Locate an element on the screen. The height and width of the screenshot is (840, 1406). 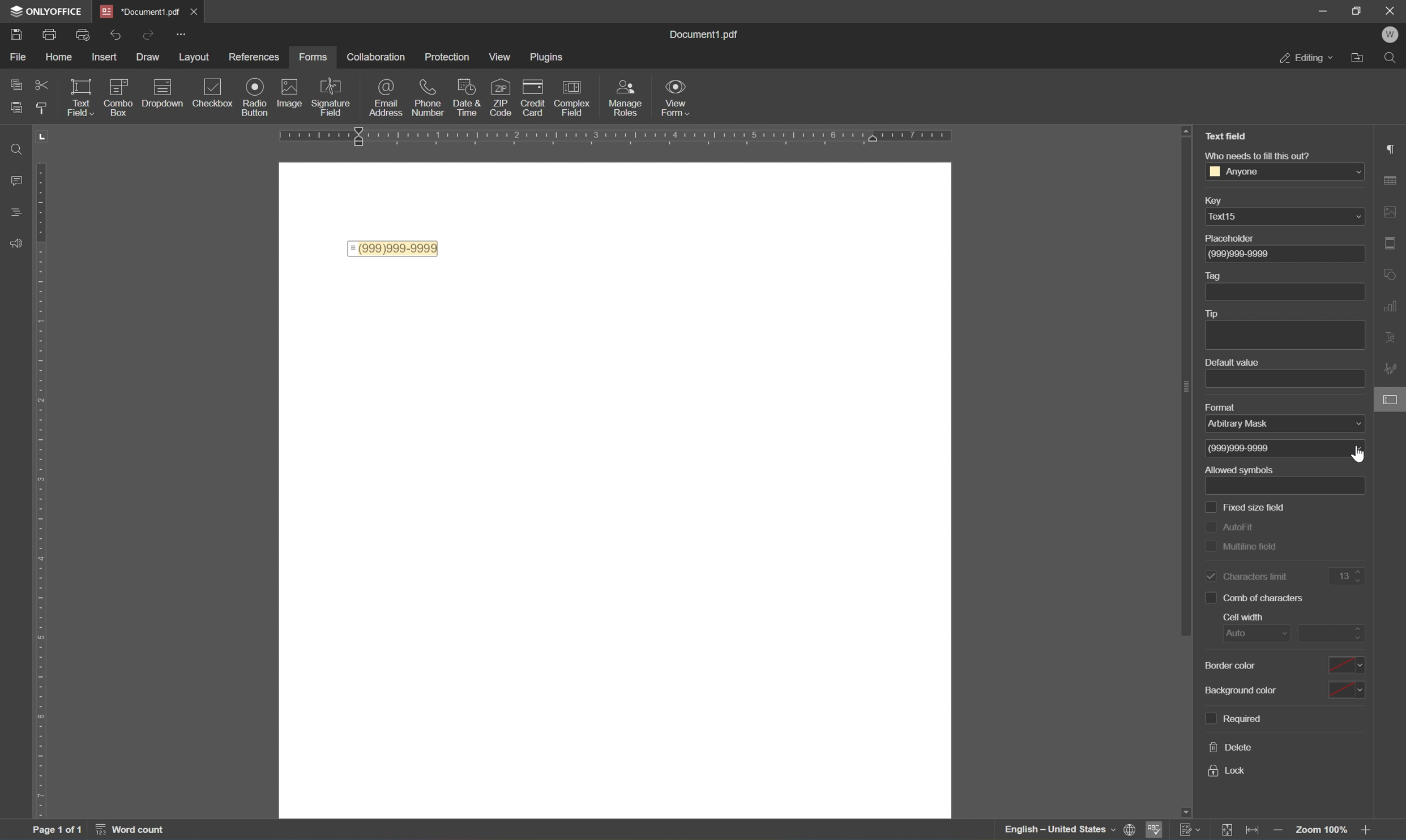
ONLYOFFICE is located at coordinates (42, 9).